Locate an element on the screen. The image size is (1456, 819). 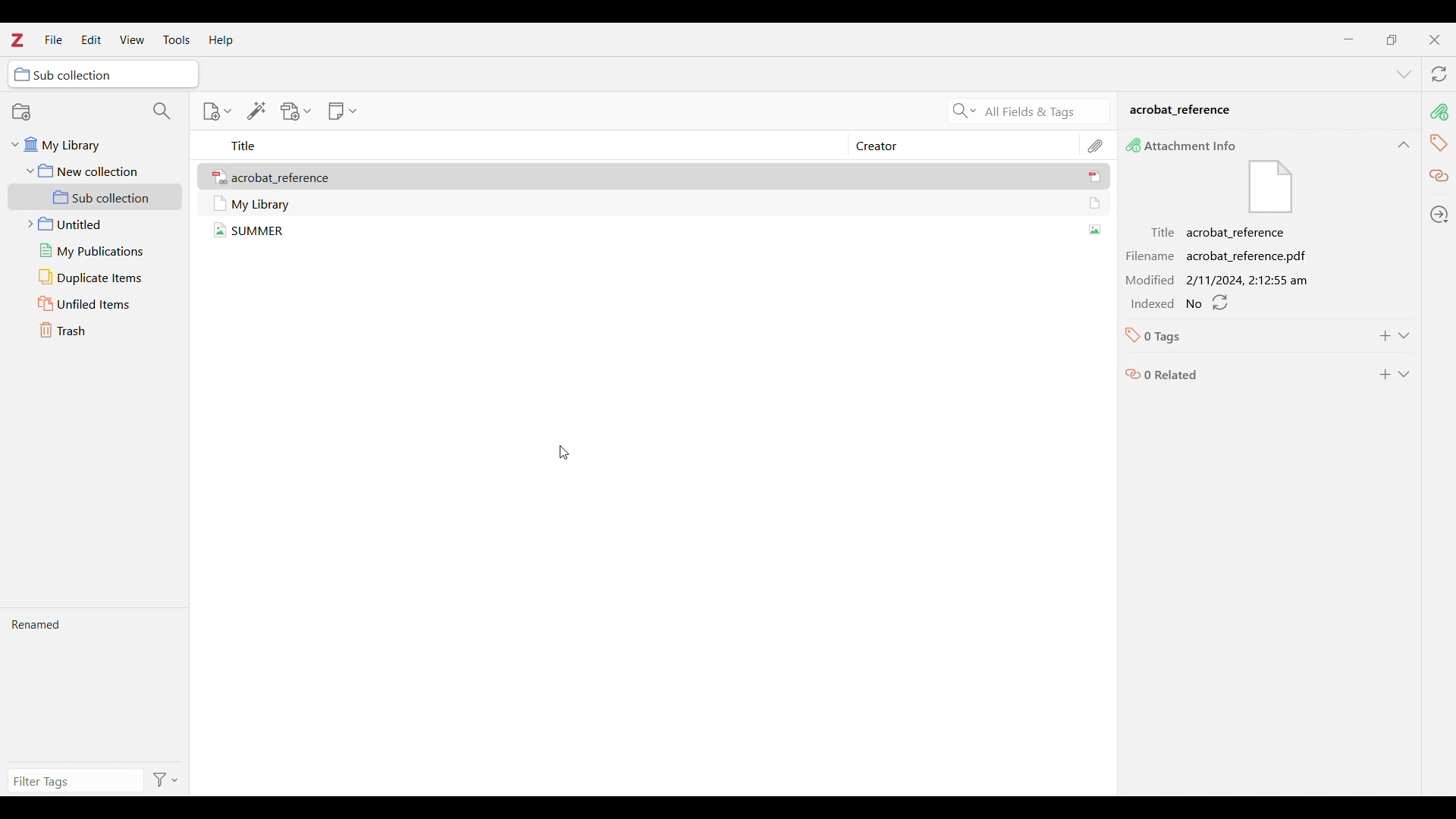
Untitled folder is located at coordinates (99, 224).